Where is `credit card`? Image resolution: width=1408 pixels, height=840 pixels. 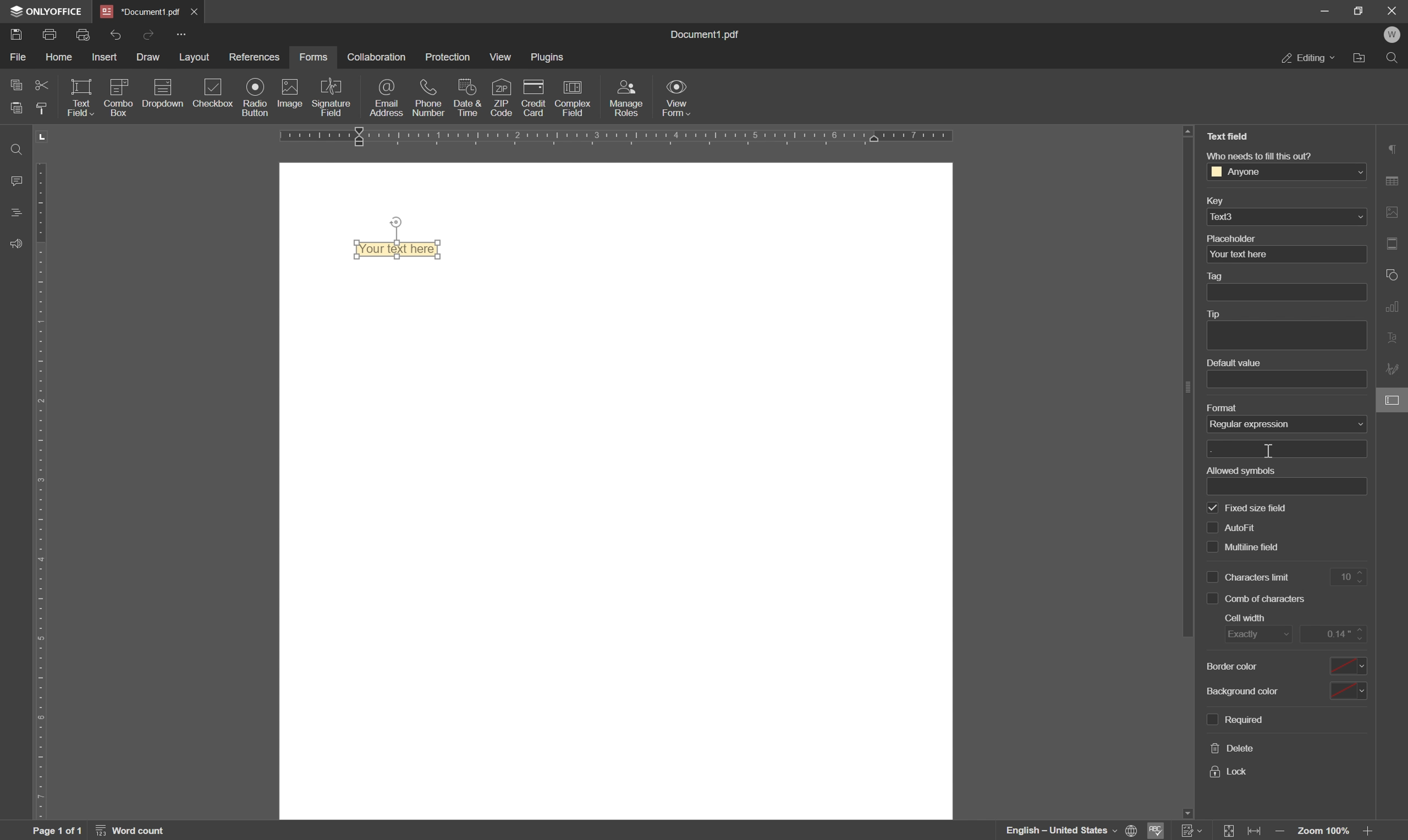 credit card is located at coordinates (534, 98).